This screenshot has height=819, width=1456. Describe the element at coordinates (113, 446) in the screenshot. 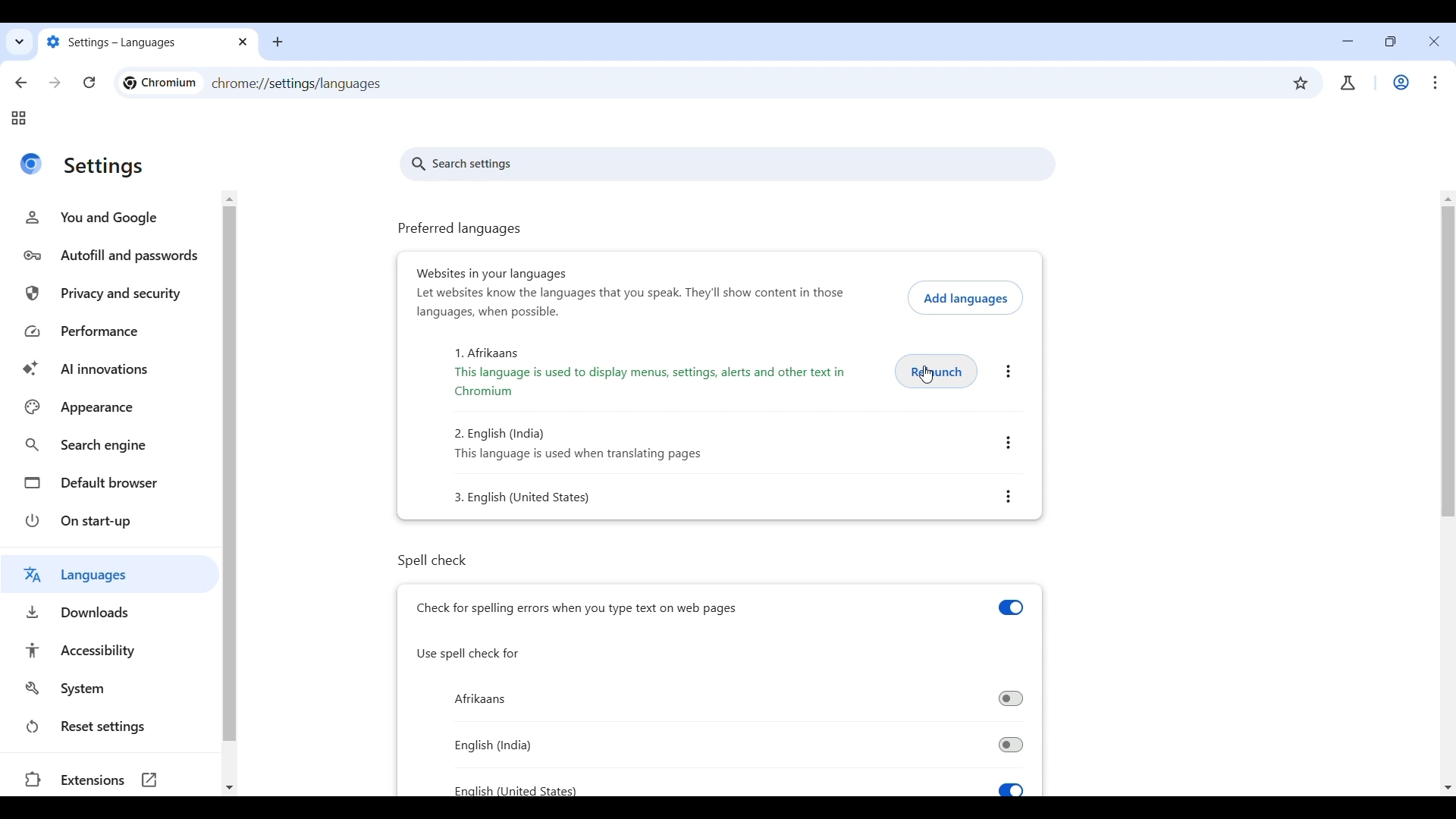

I see `Search engine` at that location.